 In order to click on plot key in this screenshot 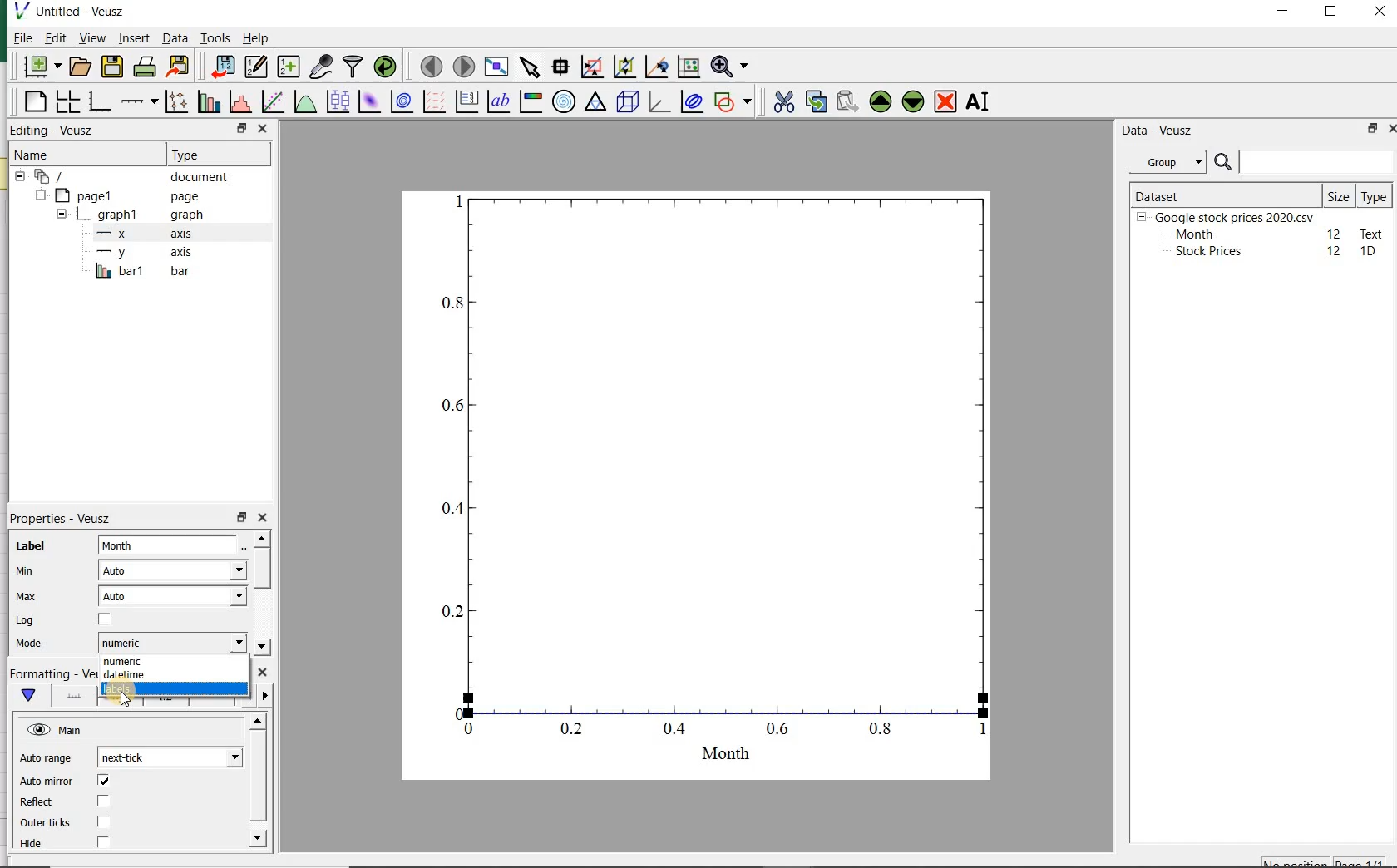, I will do `click(466, 103)`.